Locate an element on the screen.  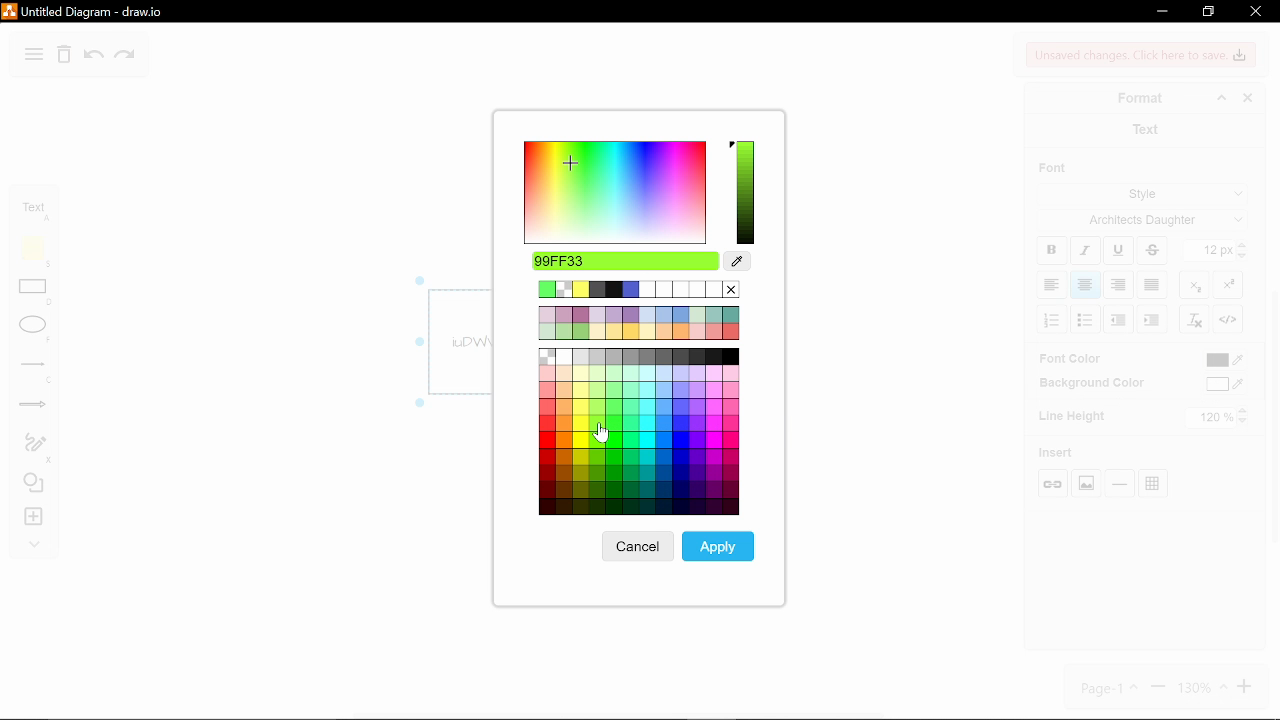
insert is located at coordinates (29, 520).